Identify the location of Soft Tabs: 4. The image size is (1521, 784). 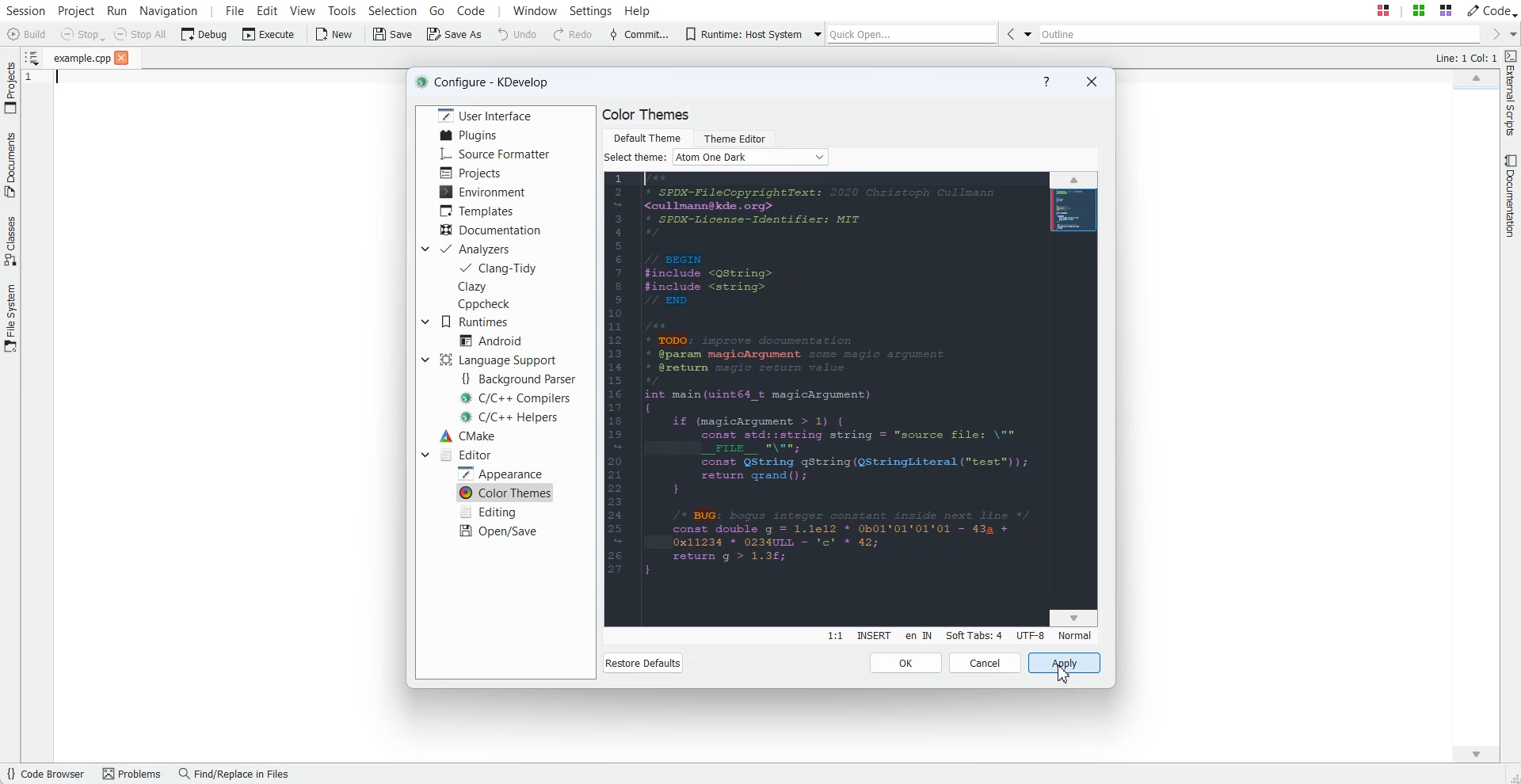
(974, 635).